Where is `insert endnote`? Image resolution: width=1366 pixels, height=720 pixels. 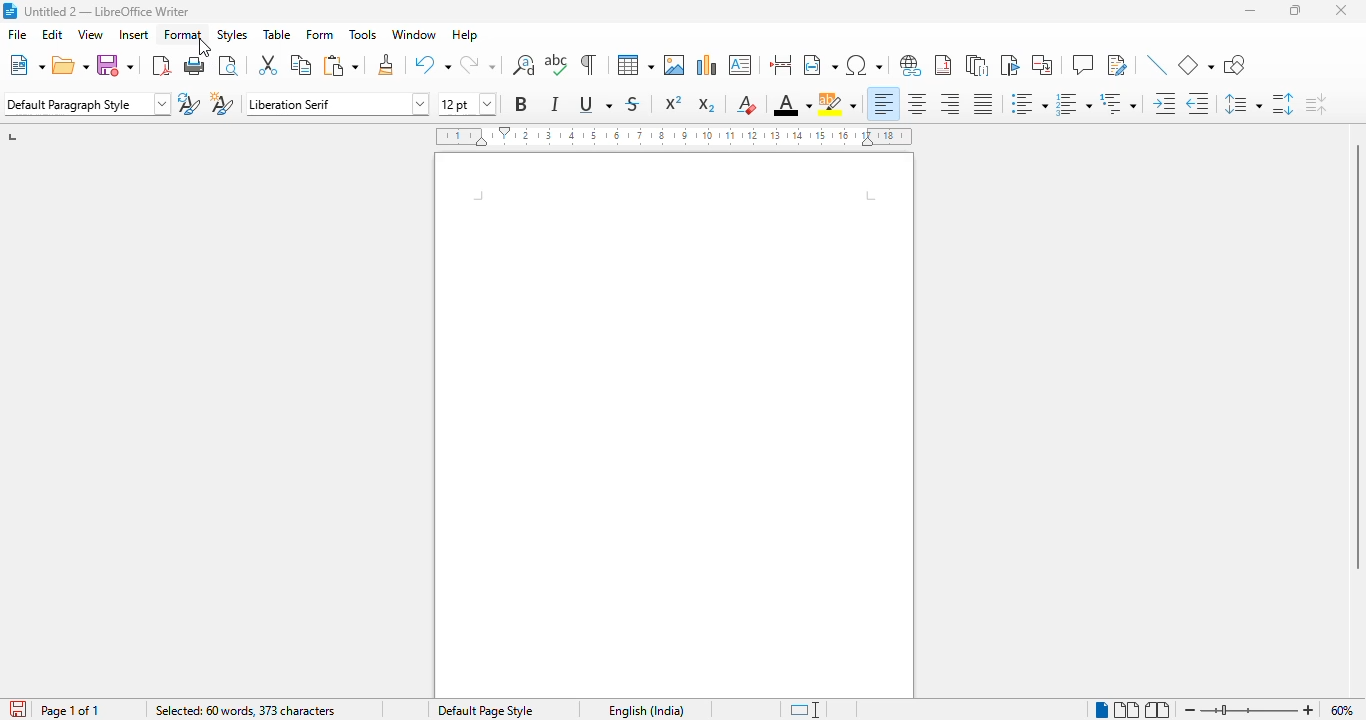 insert endnote is located at coordinates (977, 65).